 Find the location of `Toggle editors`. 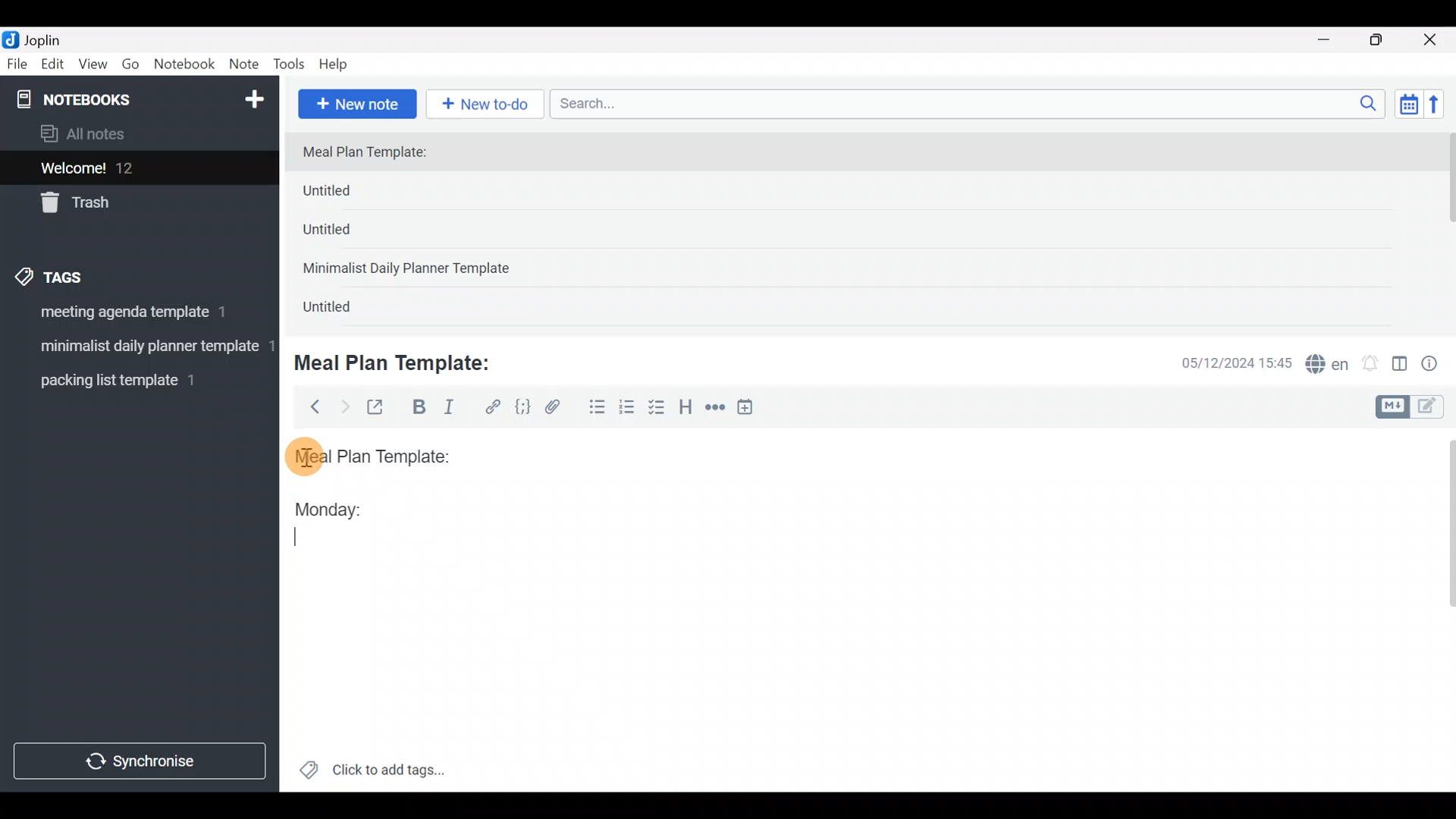

Toggle editors is located at coordinates (1414, 405).